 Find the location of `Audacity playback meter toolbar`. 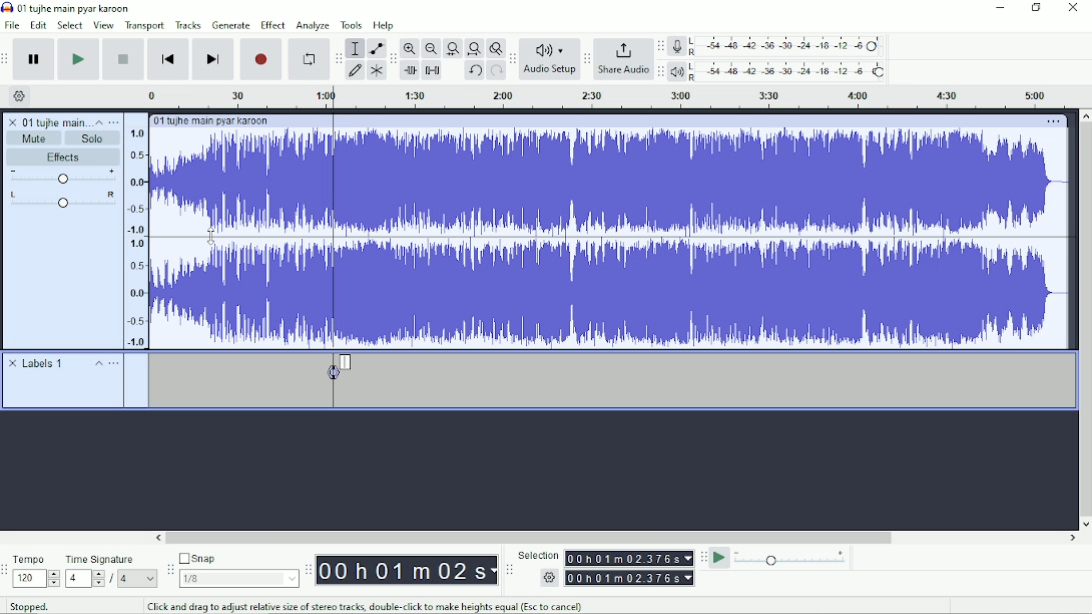

Audacity playback meter toolbar is located at coordinates (660, 72).